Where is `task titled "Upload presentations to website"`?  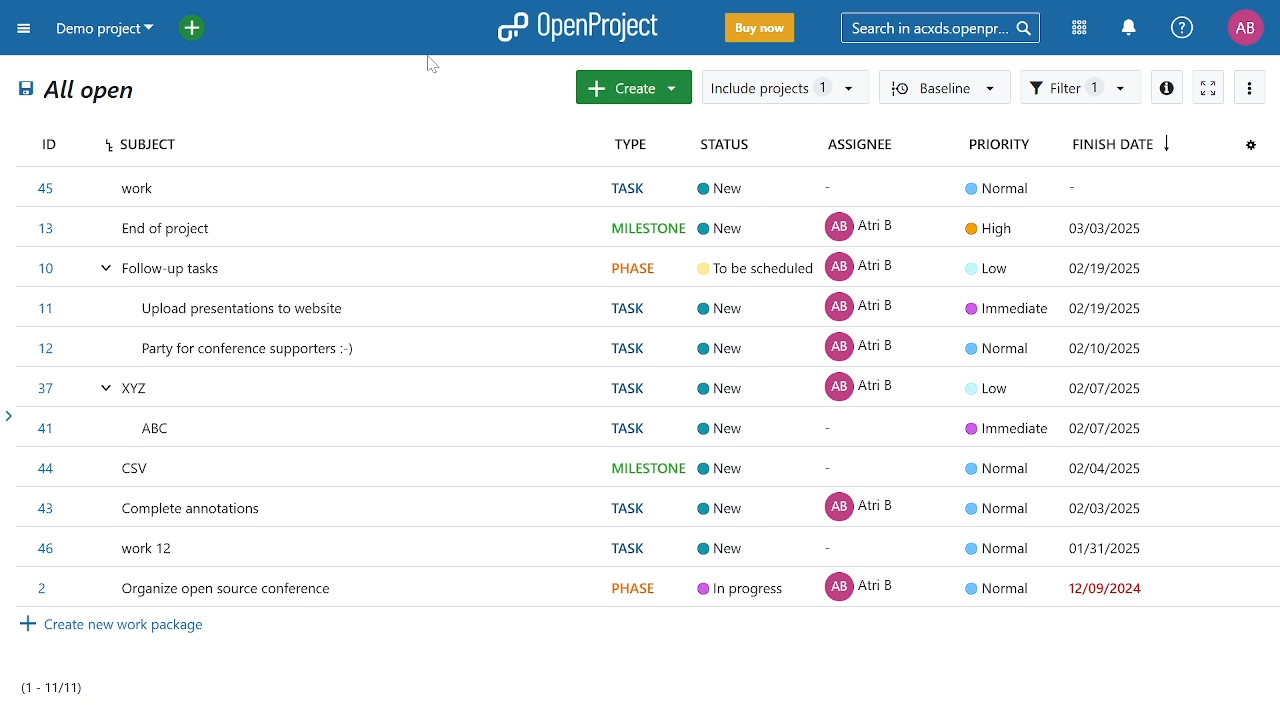 task titled "Upload presentations to website" is located at coordinates (643, 267).